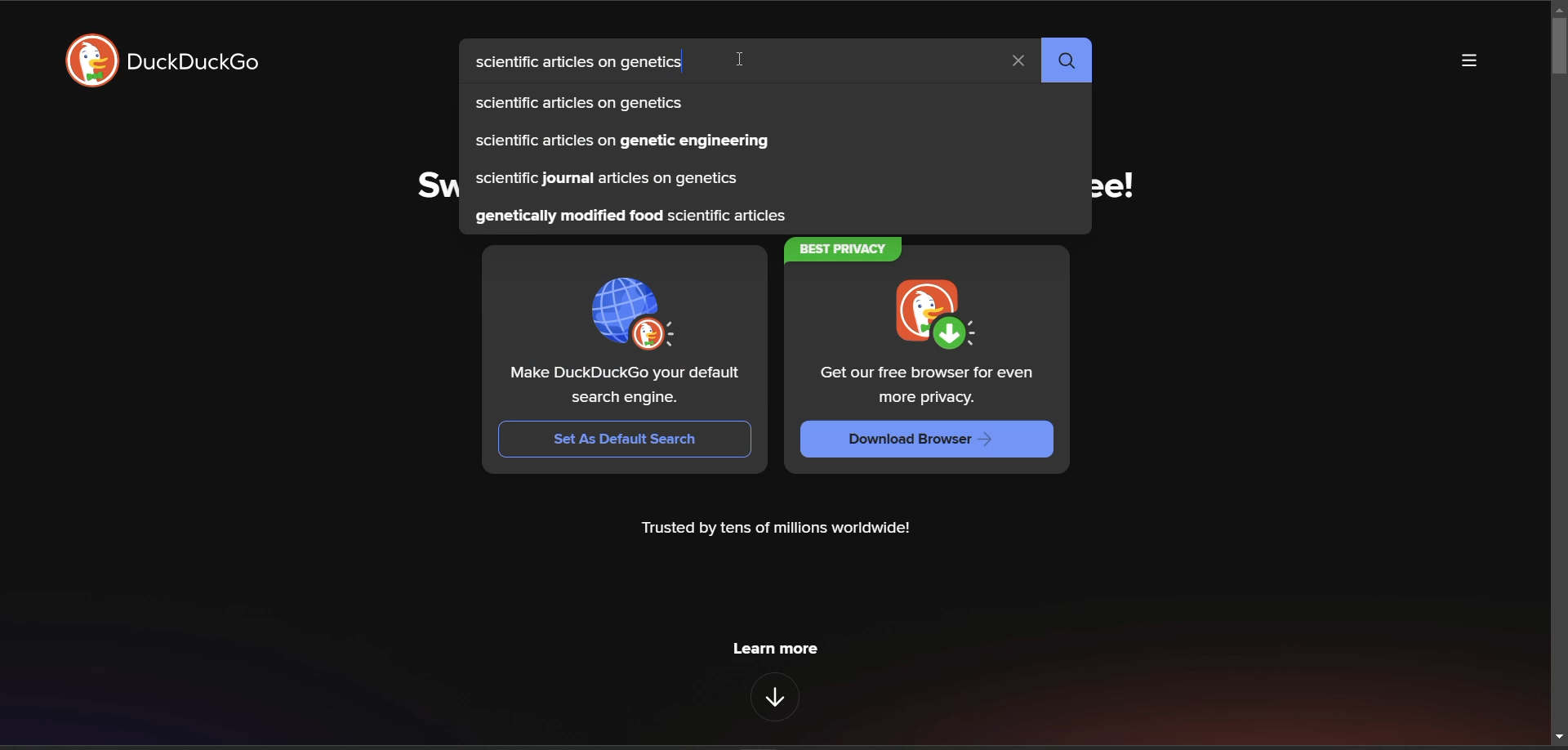  What do you see at coordinates (774, 697) in the screenshot?
I see `features` at bounding box center [774, 697].